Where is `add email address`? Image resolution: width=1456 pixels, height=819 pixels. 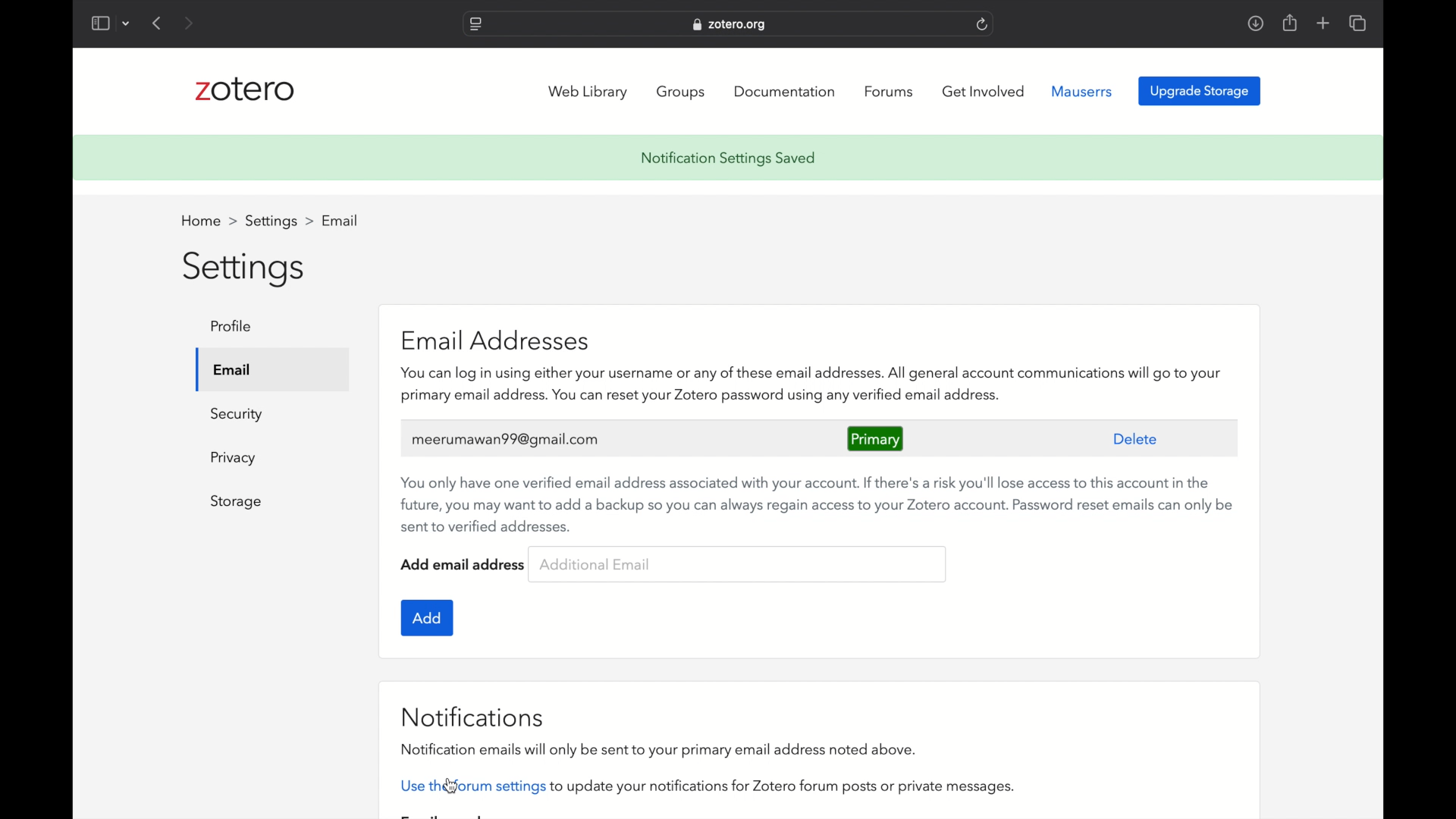
add email address is located at coordinates (463, 563).